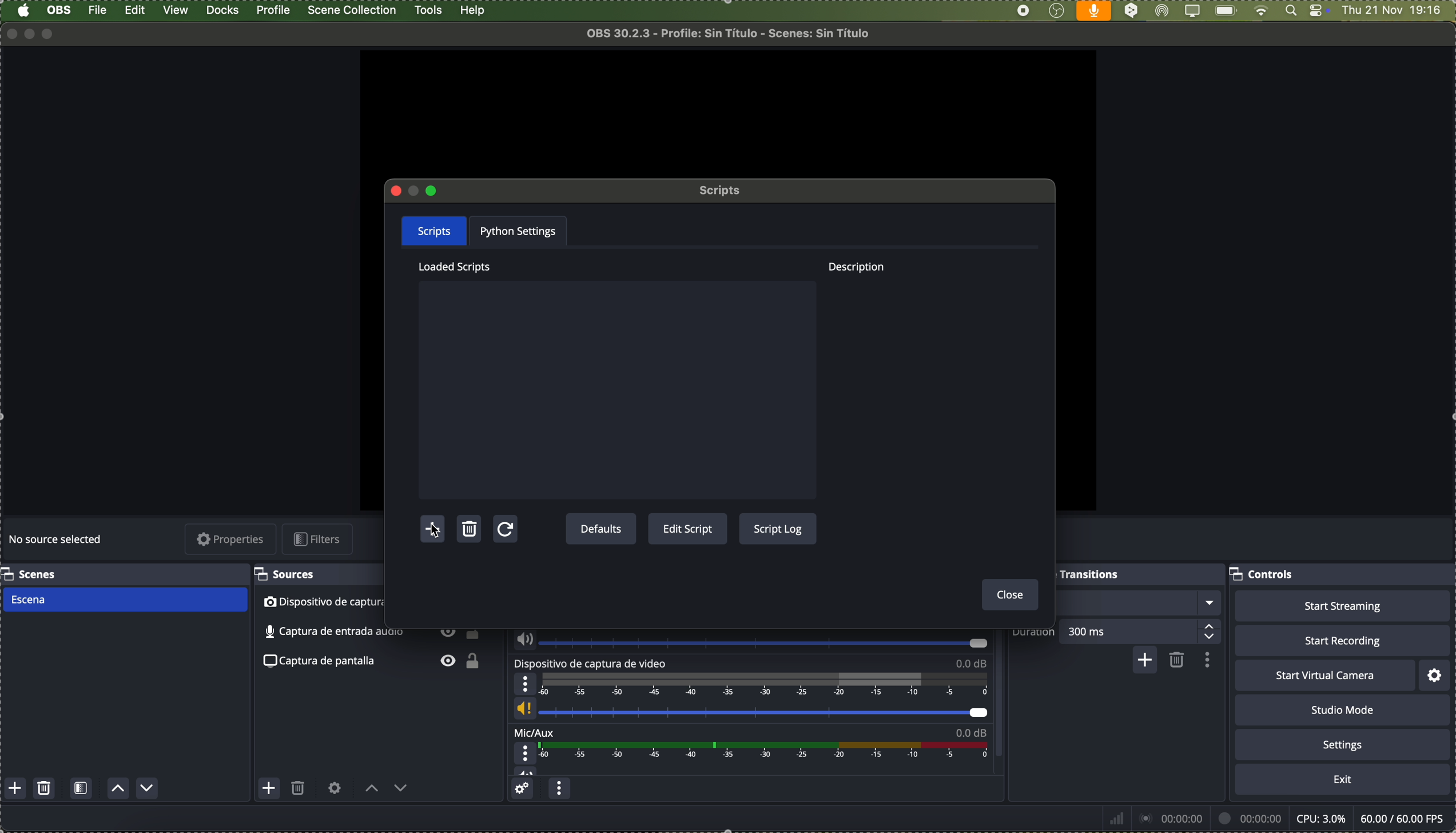  Describe the element at coordinates (726, 114) in the screenshot. I see `workspace` at that location.